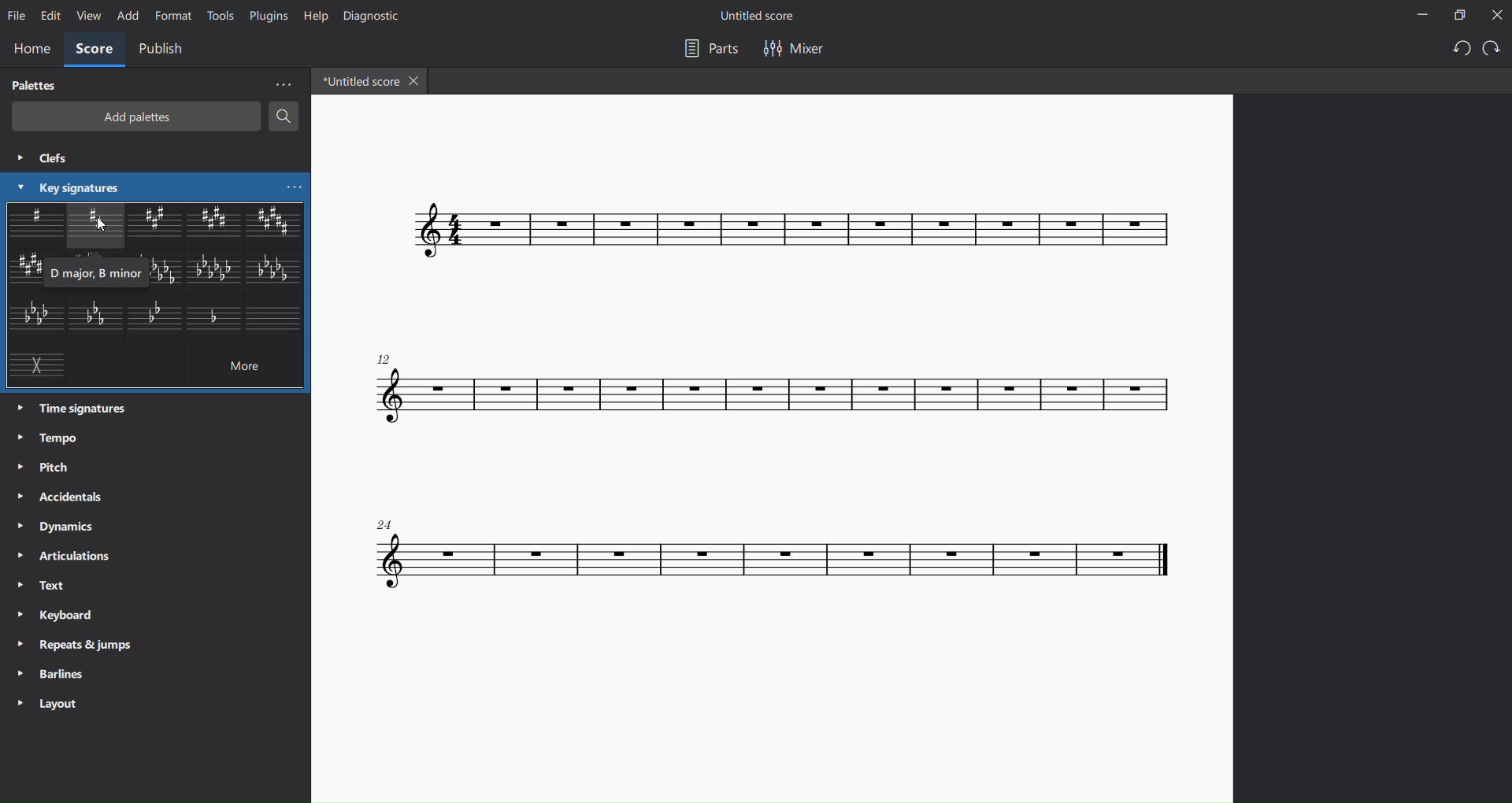 The image size is (1512, 803). What do you see at coordinates (1421, 13) in the screenshot?
I see `minimize` at bounding box center [1421, 13].